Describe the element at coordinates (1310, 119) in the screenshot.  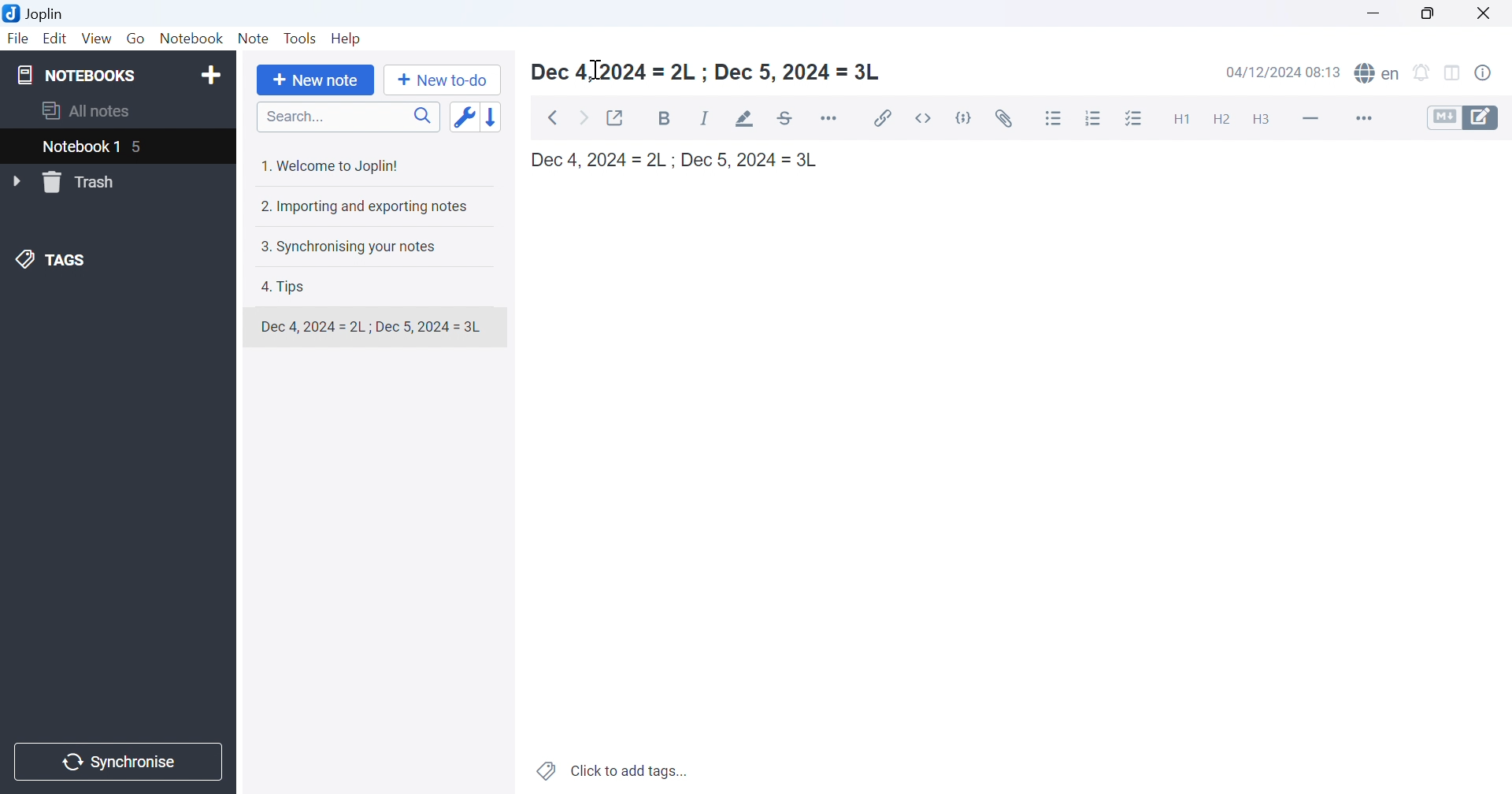
I see `Horizontal Line` at that location.